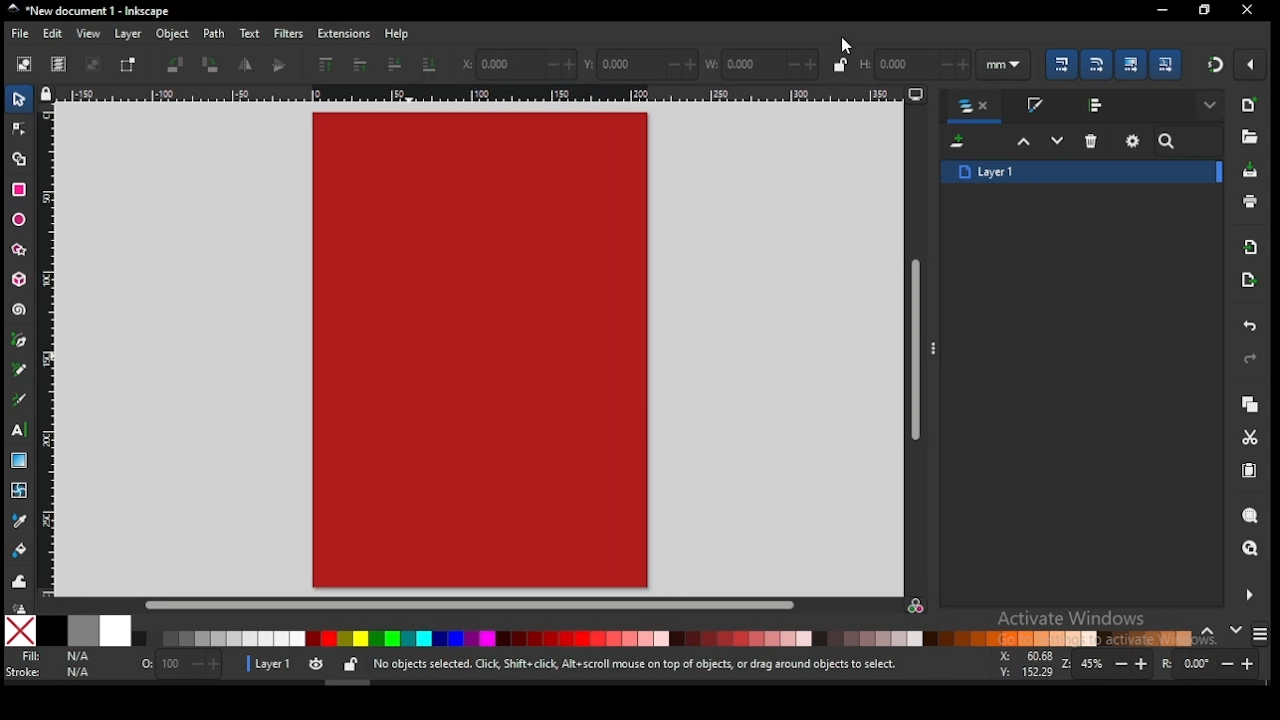 The width and height of the screenshot is (1280, 720). I want to click on lower to bottom, so click(431, 66).